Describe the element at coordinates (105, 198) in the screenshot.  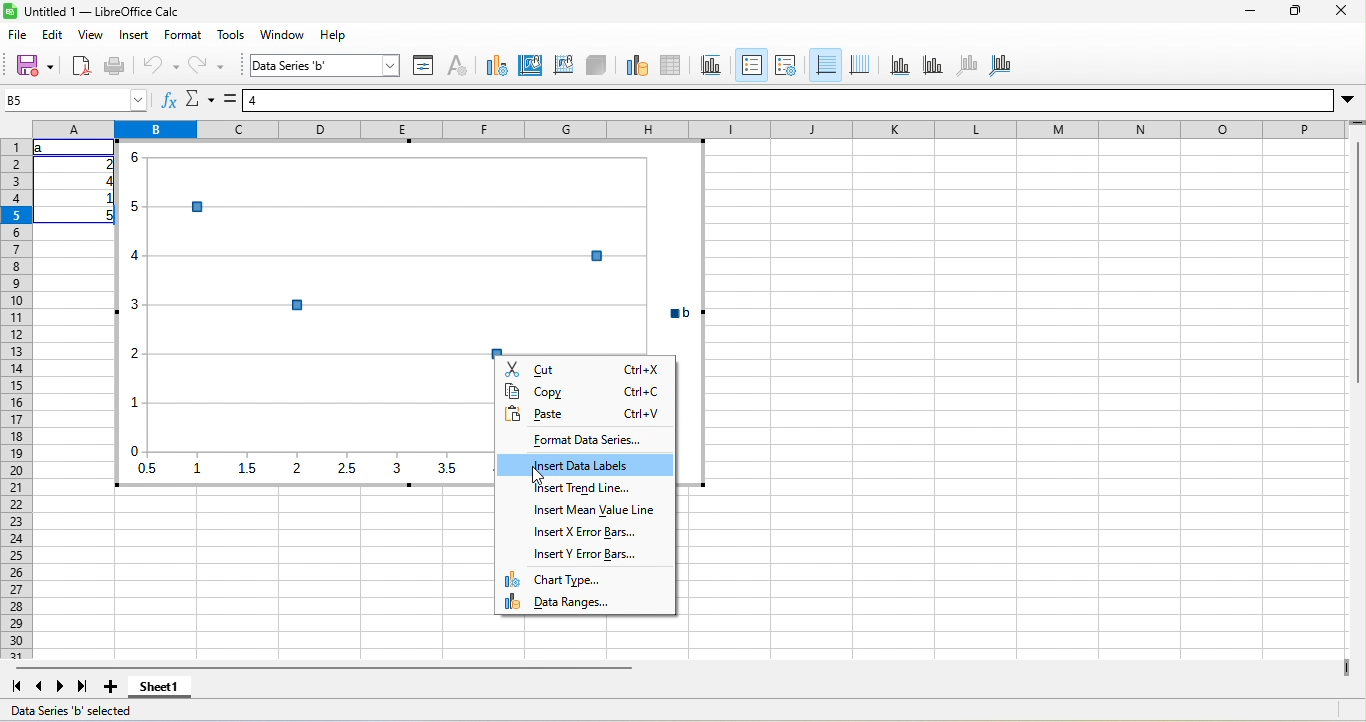
I see `1` at that location.